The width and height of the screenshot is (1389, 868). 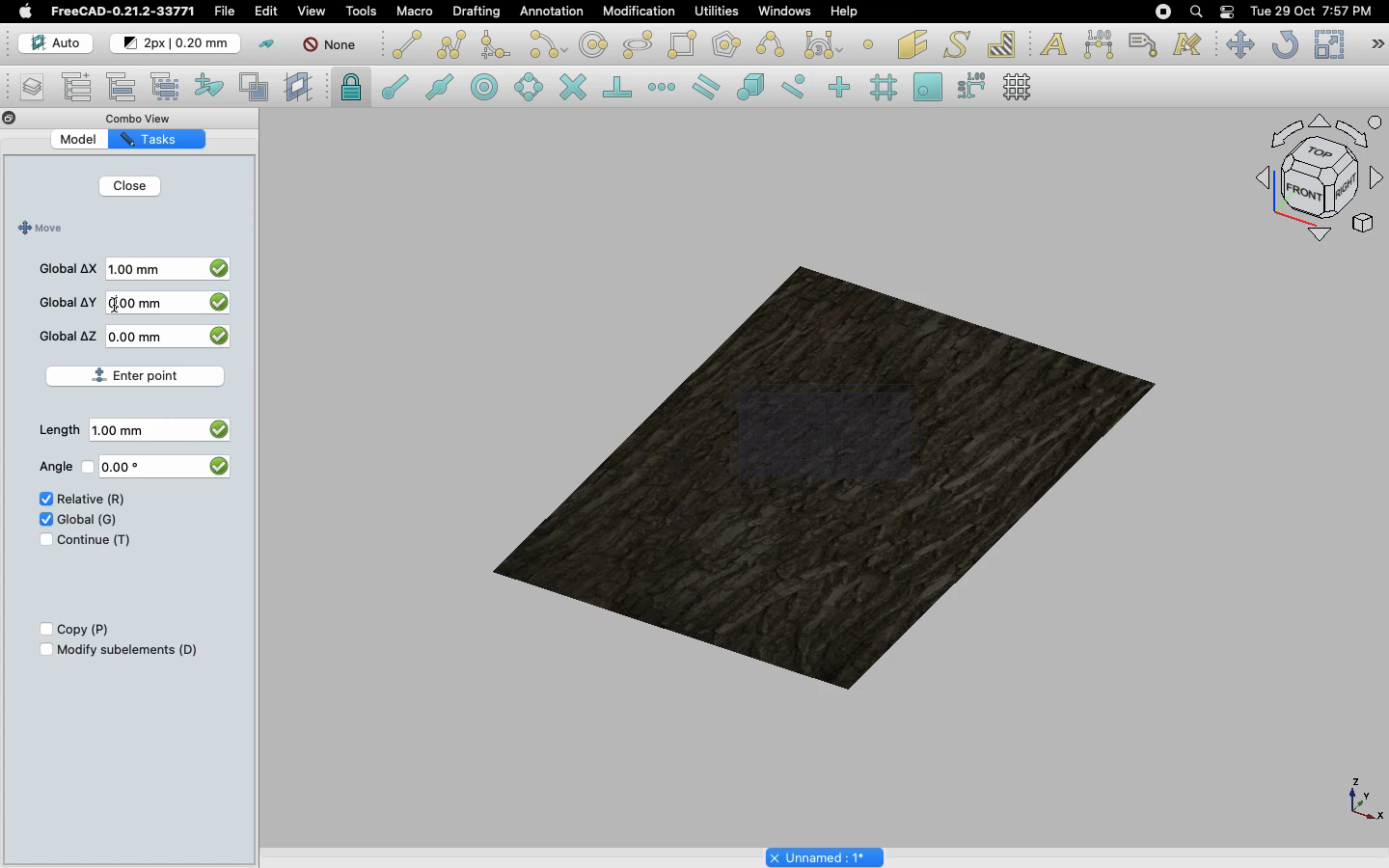 What do you see at coordinates (92, 140) in the screenshot?
I see `Model` at bounding box center [92, 140].